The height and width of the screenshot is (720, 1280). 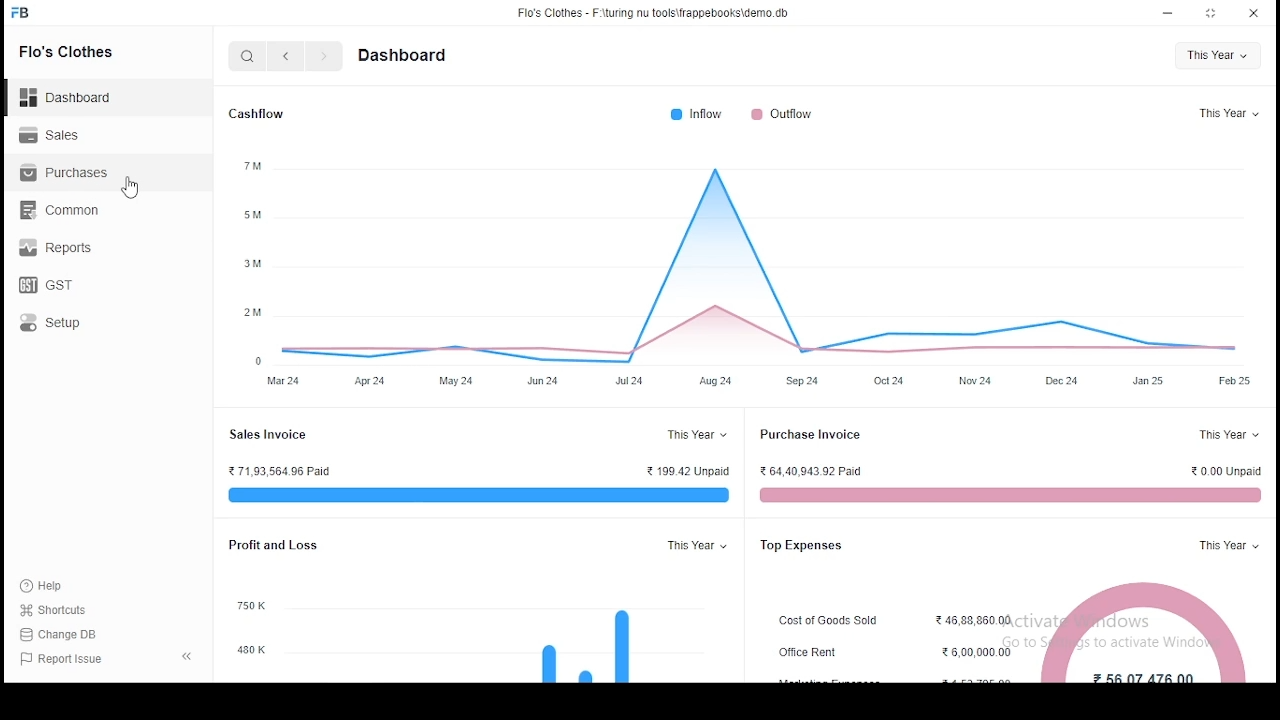 I want to click on 2m, so click(x=253, y=313).